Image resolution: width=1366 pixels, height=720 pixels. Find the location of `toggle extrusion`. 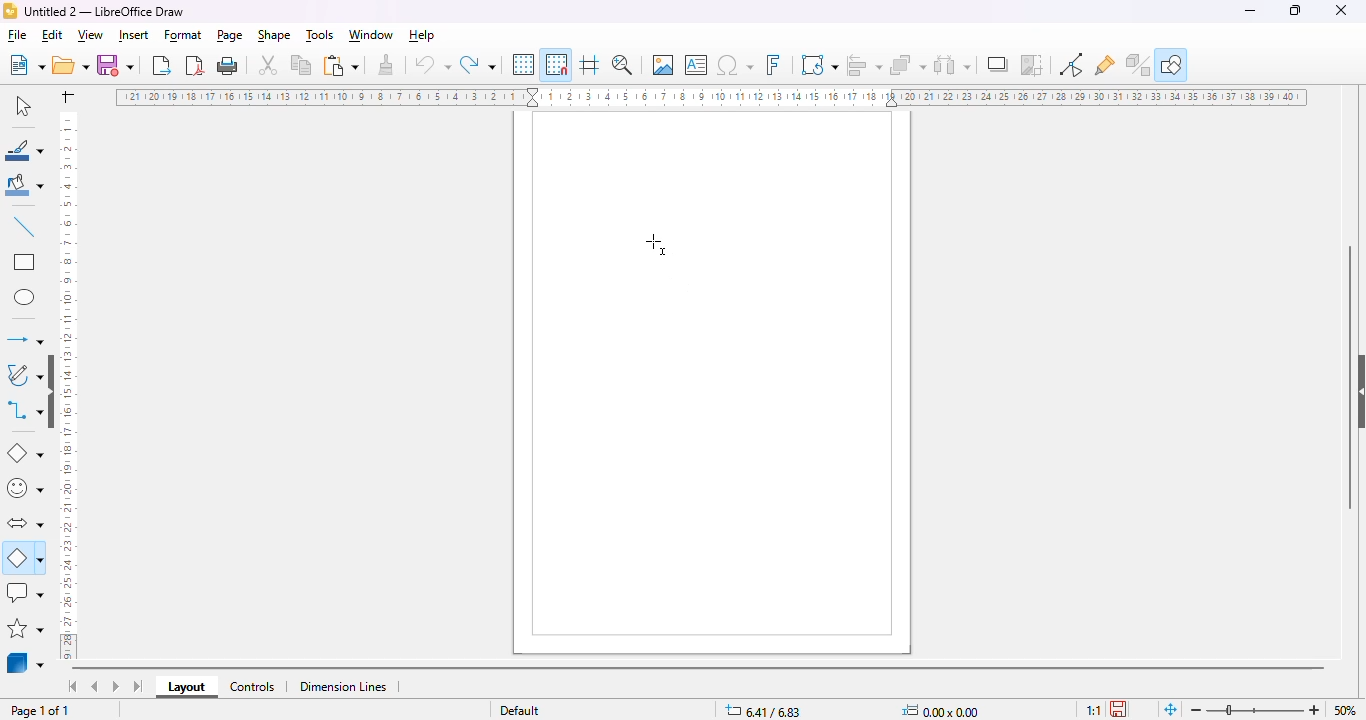

toggle extrusion is located at coordinates (1138, 64).